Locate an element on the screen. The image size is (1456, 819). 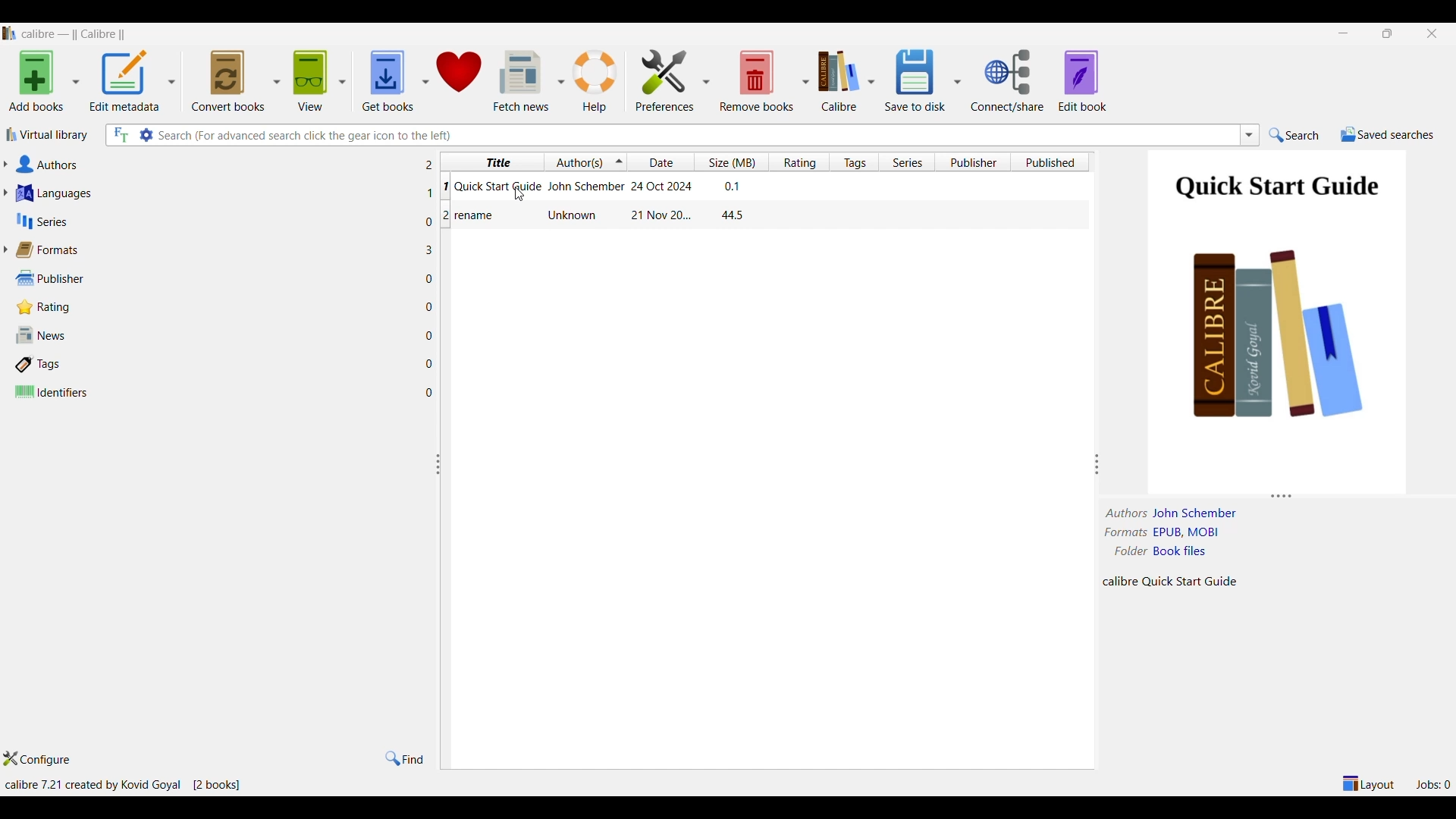
Size column is located at coordinates (733, 162).